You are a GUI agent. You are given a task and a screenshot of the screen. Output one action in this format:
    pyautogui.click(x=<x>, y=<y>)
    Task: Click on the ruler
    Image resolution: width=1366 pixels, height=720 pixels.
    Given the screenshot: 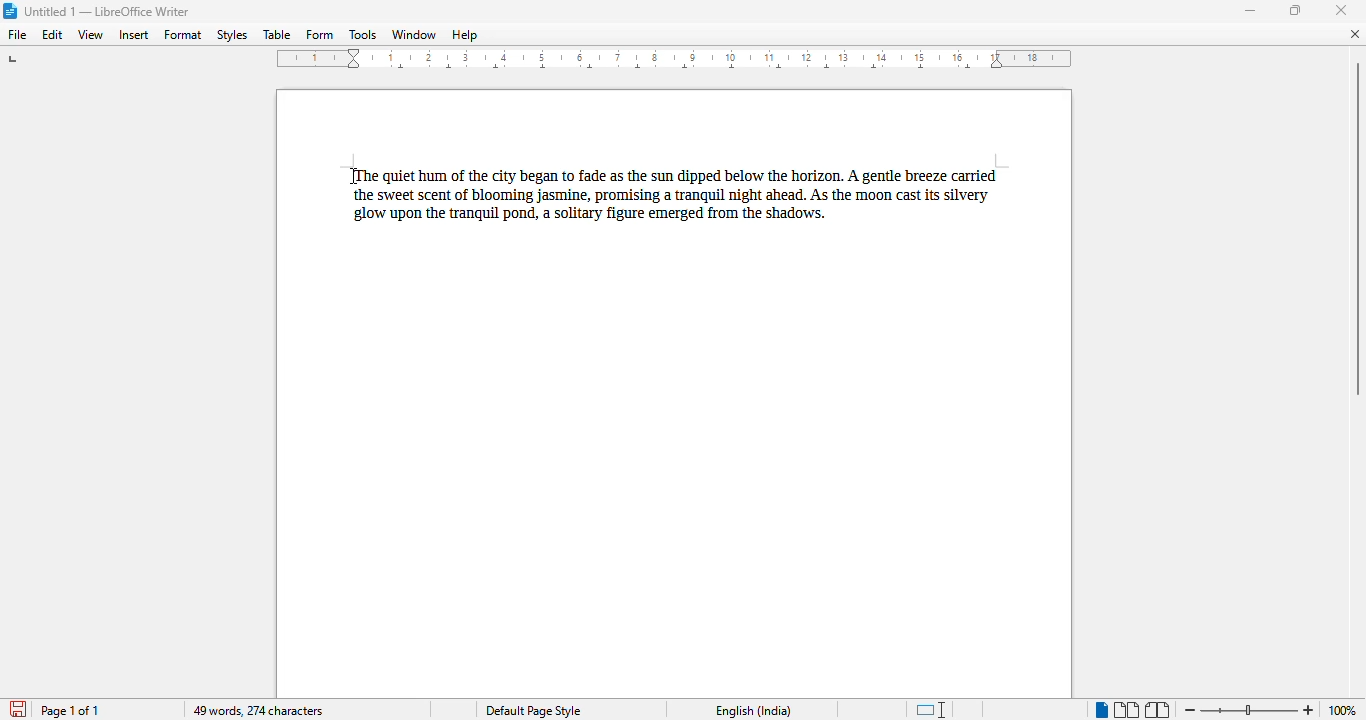 What is the action you would take?
    pyautogui.click(x=675, y=58)
    